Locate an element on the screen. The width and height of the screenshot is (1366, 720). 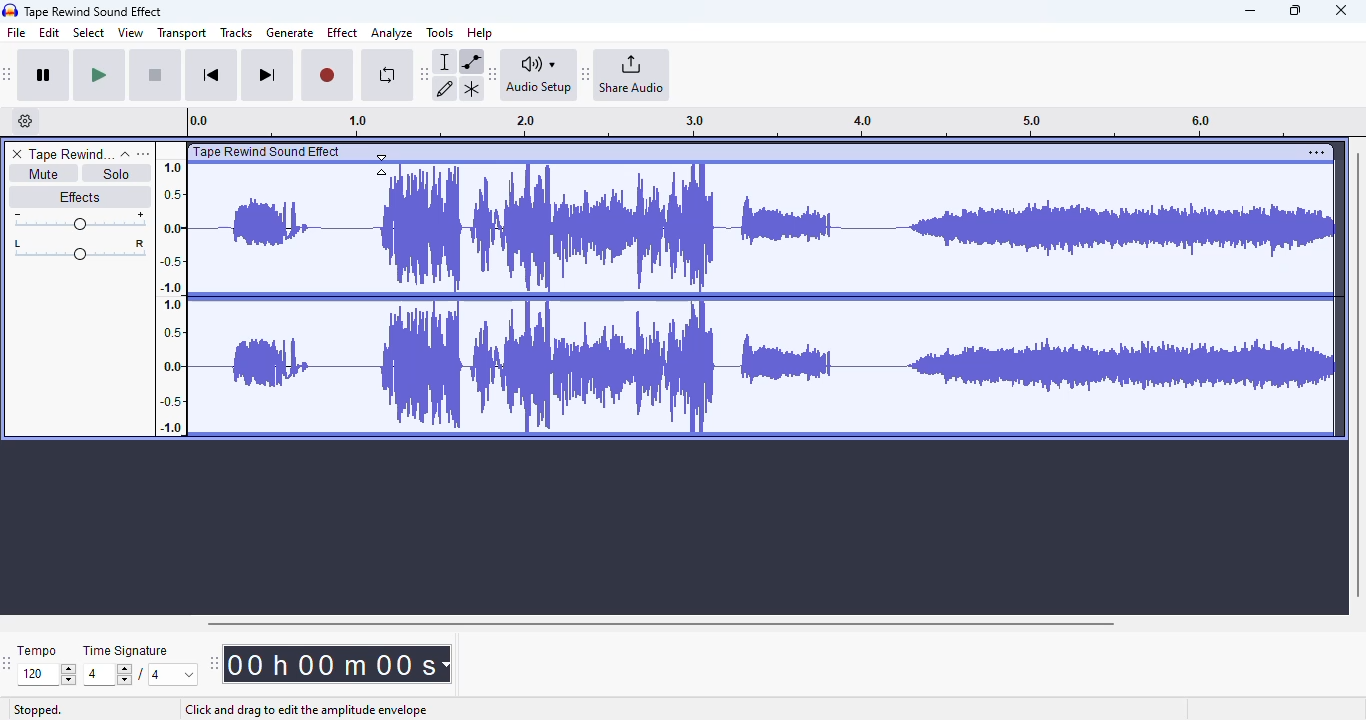
transport is located at coordinates (183, 33).